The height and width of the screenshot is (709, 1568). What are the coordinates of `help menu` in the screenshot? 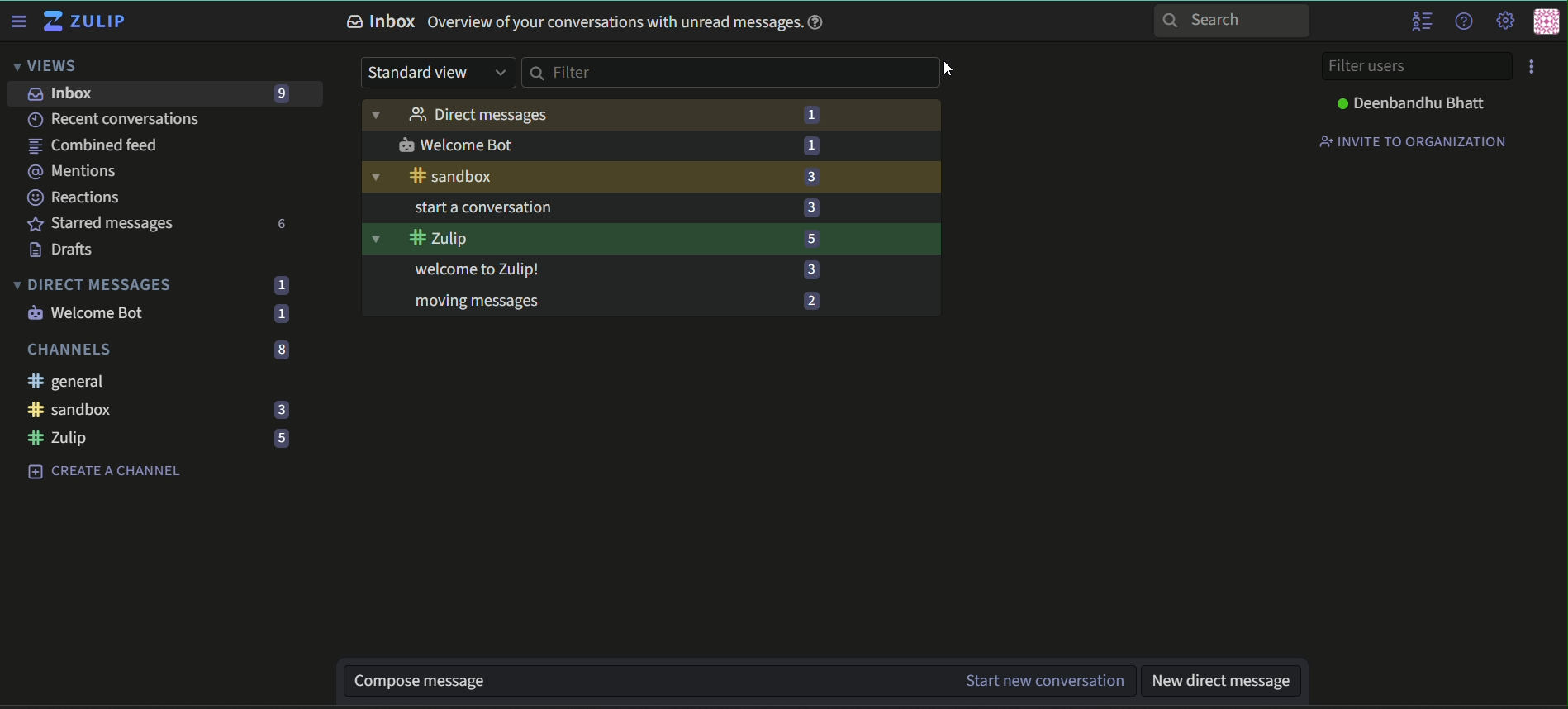 It's located at (1463, 20).